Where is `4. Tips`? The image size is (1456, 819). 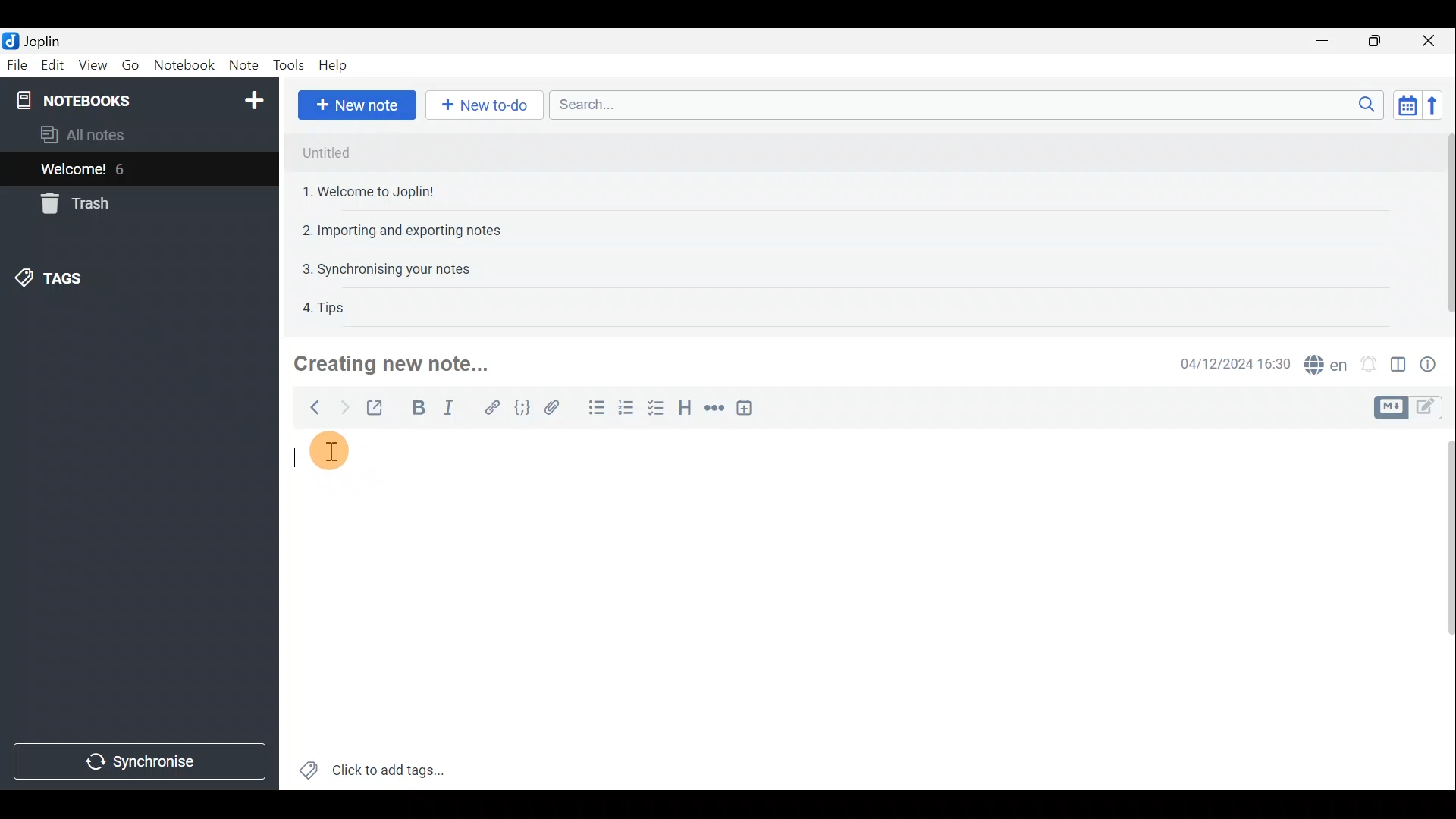 4. Tips is located at coordinates (325, 307).